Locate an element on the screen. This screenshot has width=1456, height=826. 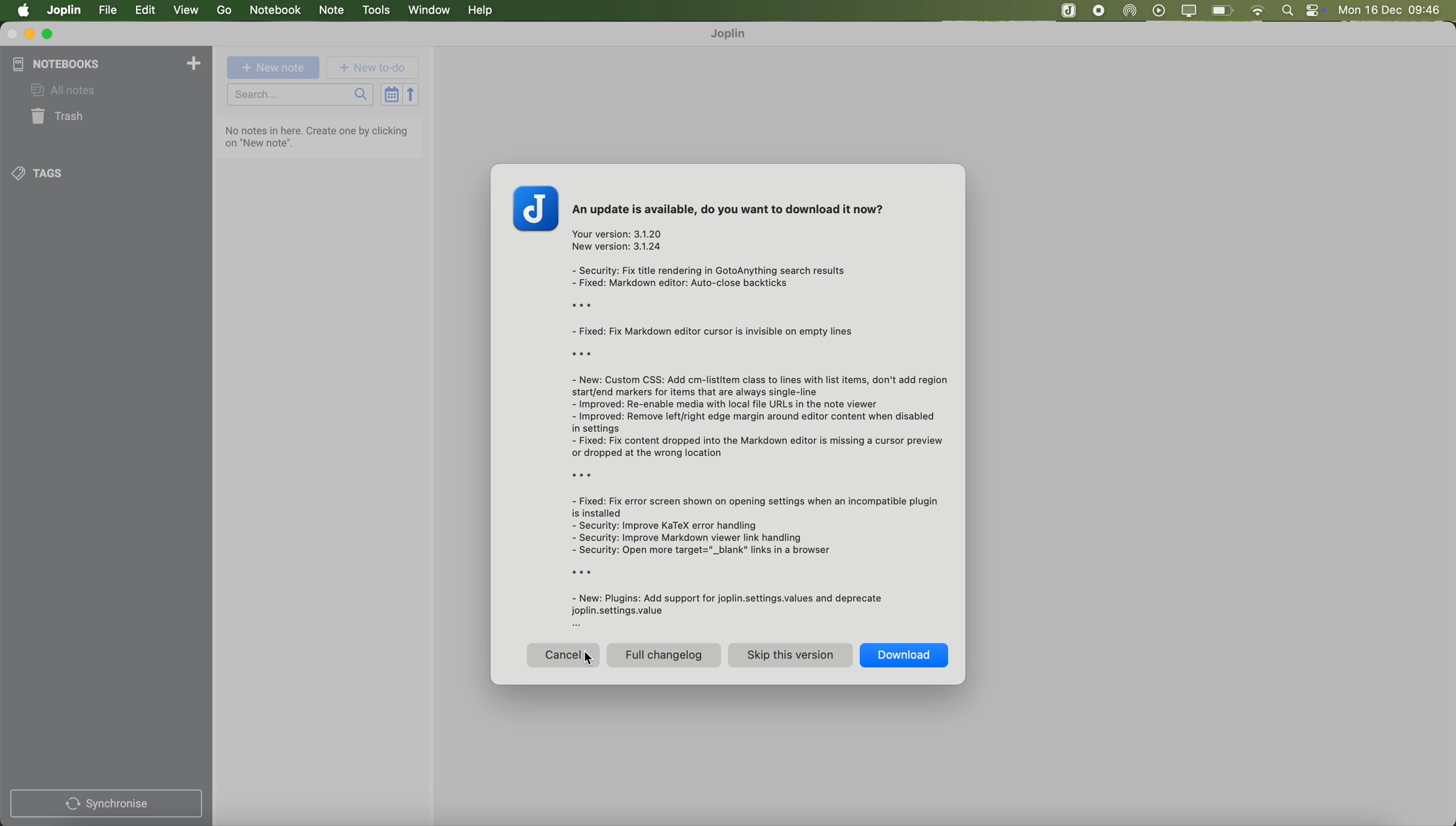
maximize is located at coordinates (50, 35).